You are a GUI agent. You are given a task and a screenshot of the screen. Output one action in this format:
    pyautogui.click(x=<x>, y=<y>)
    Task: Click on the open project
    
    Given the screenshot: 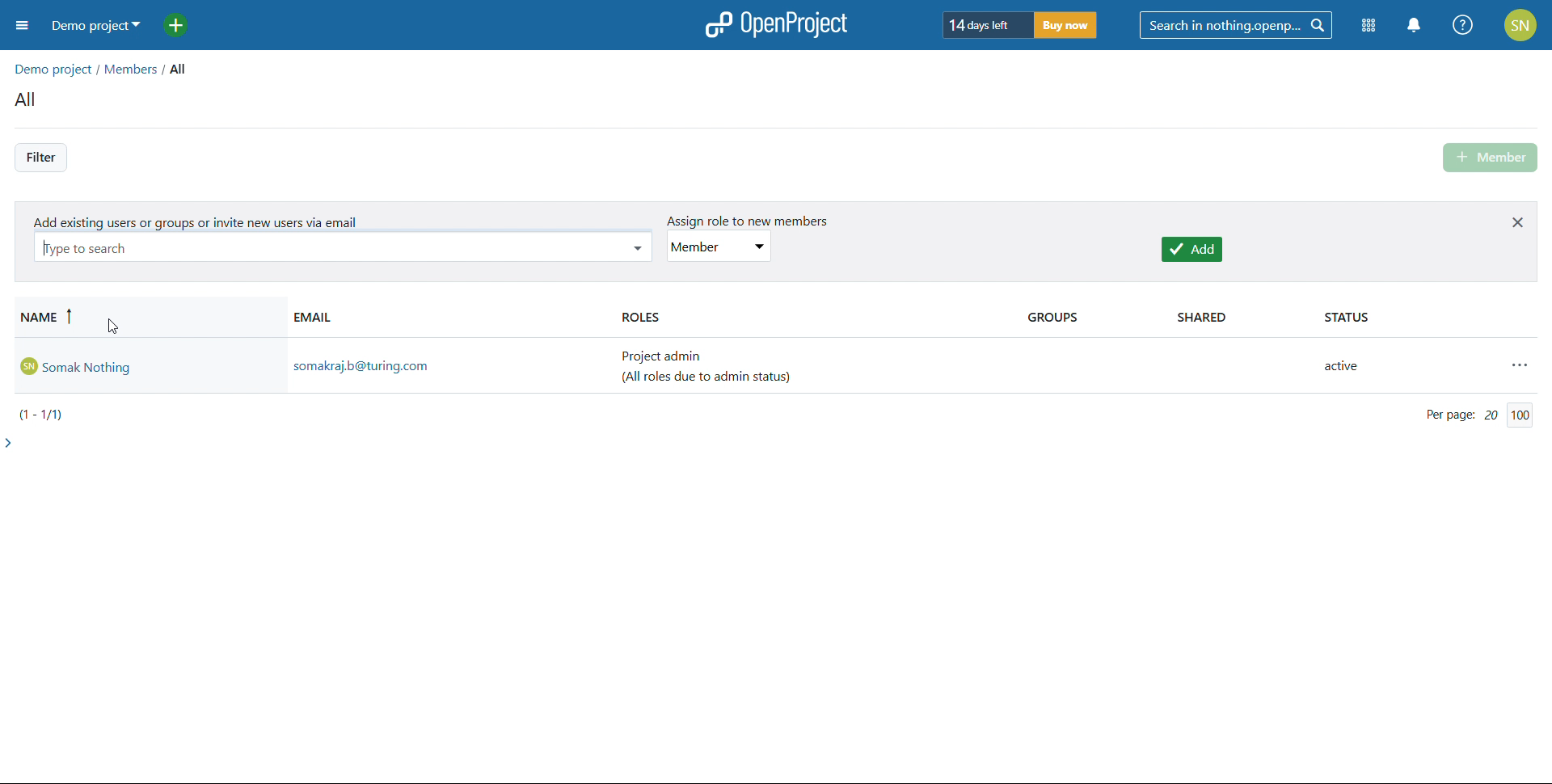 What is the action you would take?
    pyautogui.click(x=775, y=24)
    